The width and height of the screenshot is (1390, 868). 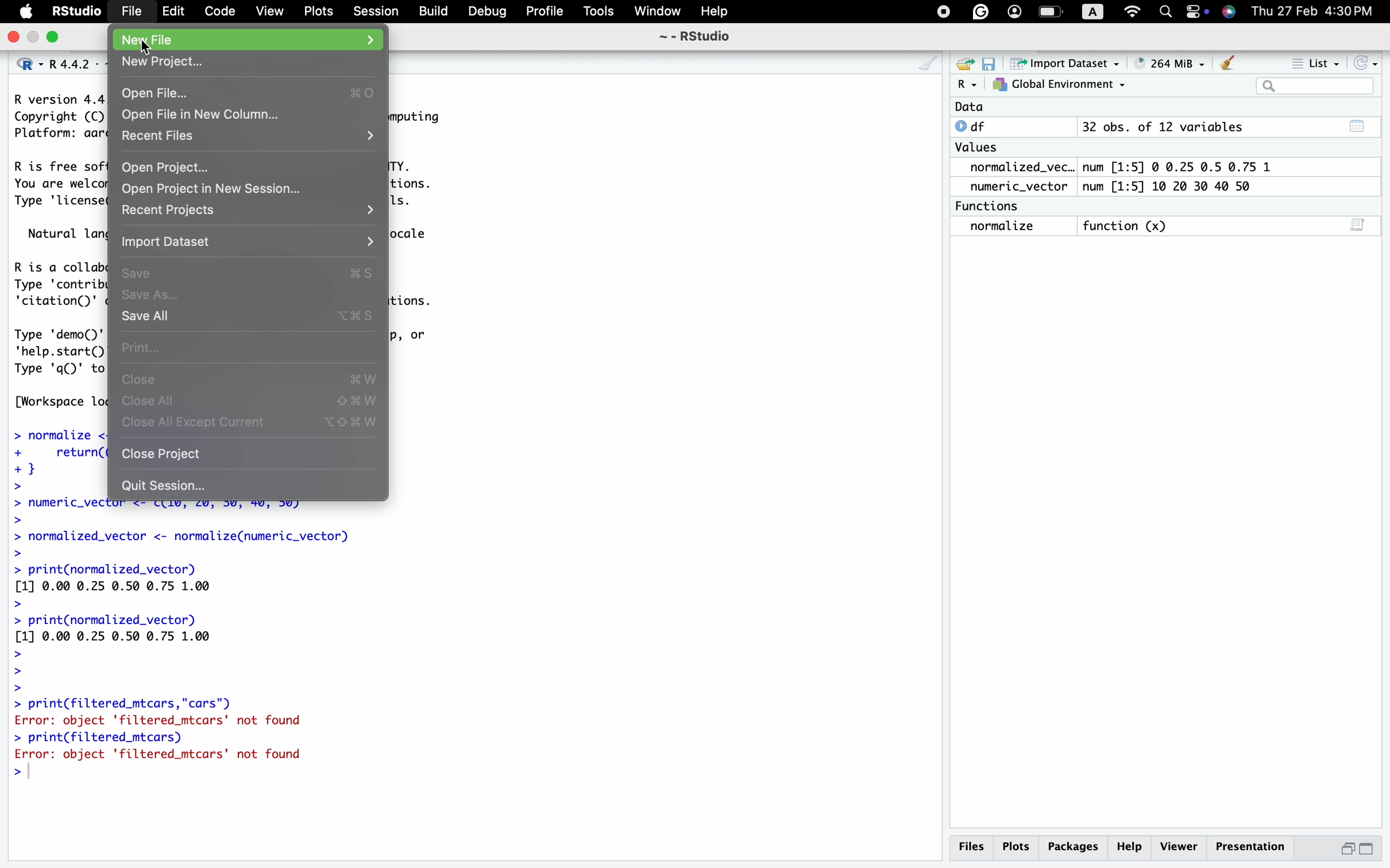 What do you see at coordinates (249, 294) in the screenshot?
I see `save as` at bounding box center [249, 294].